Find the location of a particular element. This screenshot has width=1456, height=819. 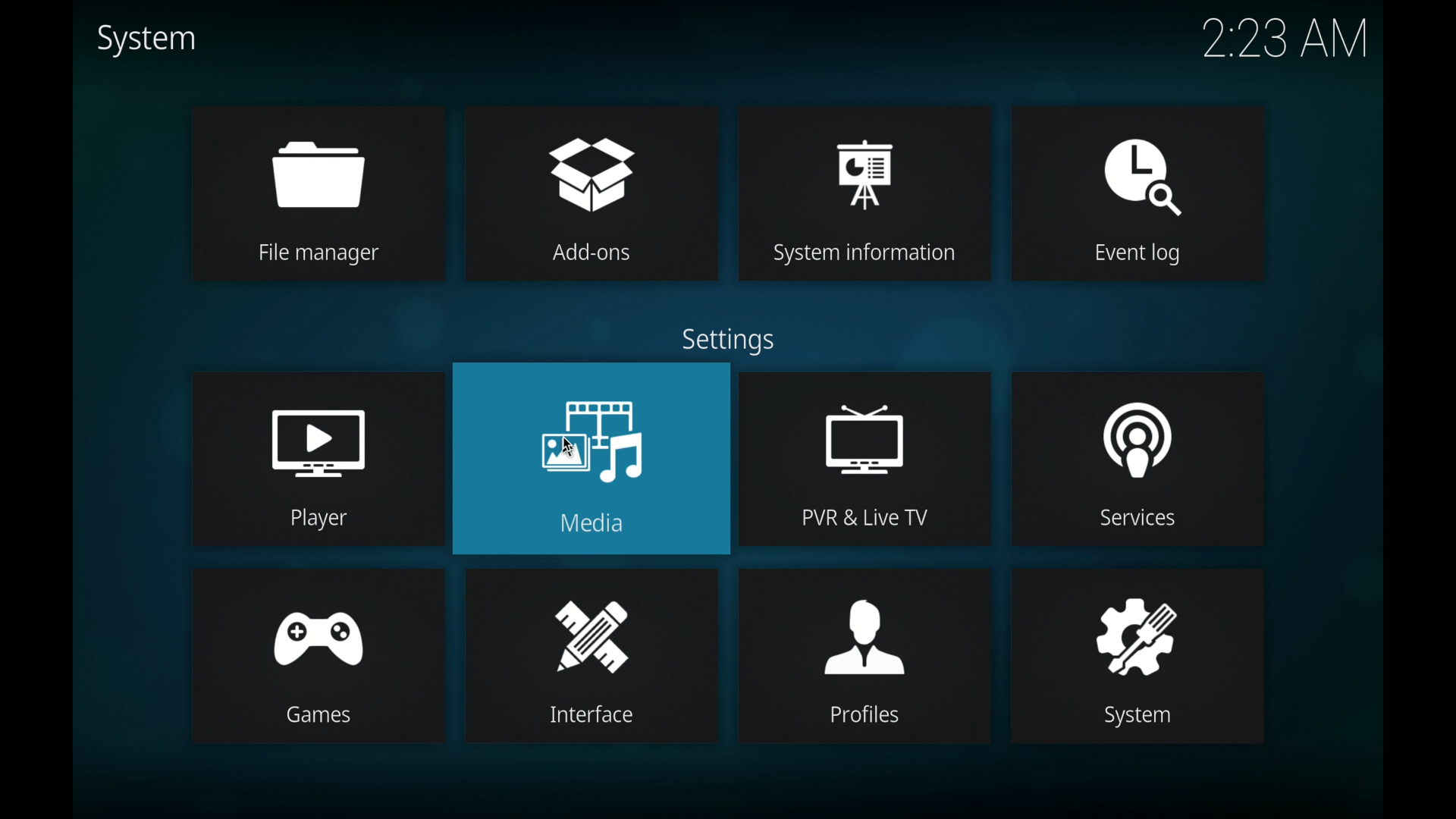

interface is located at coordinates (595, 626).